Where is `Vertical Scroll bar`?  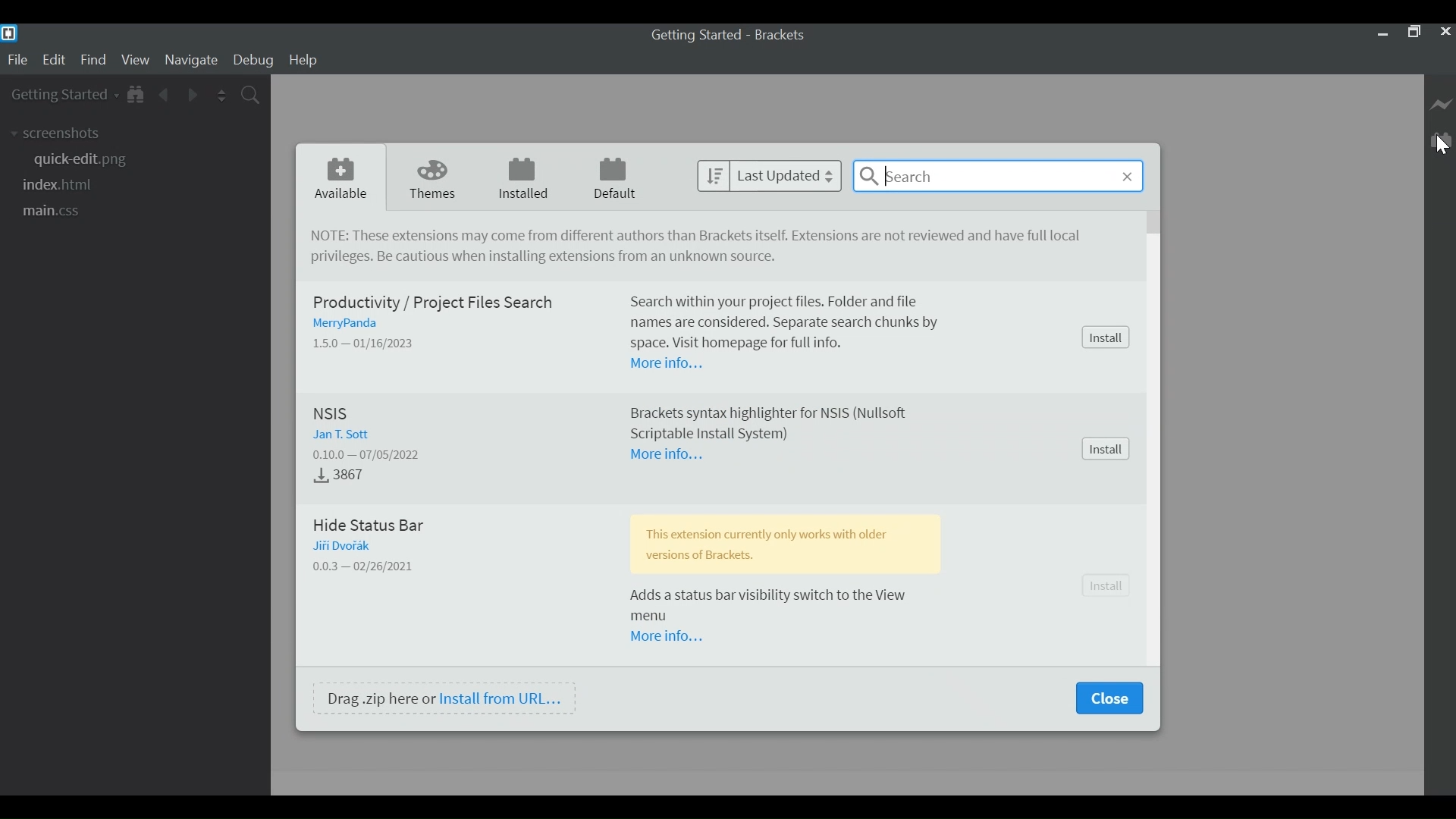
Vertical Scroll bar is located at coordinates (1155, 224).